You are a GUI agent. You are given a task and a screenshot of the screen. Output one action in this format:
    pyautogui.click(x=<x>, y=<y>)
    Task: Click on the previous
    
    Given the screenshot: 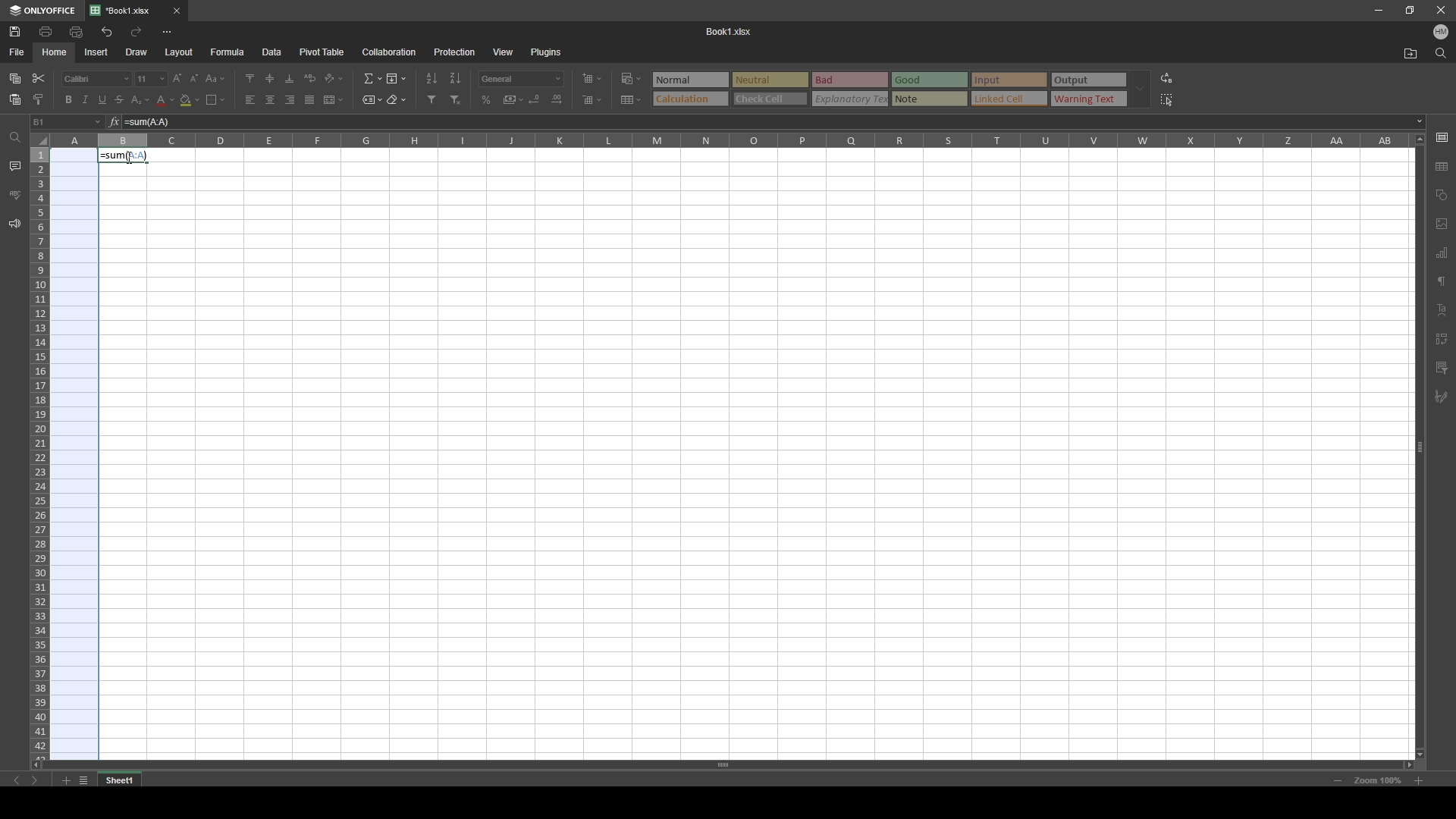 What is the action you would take?
    pyautogui.click(x=17, y=780)
    